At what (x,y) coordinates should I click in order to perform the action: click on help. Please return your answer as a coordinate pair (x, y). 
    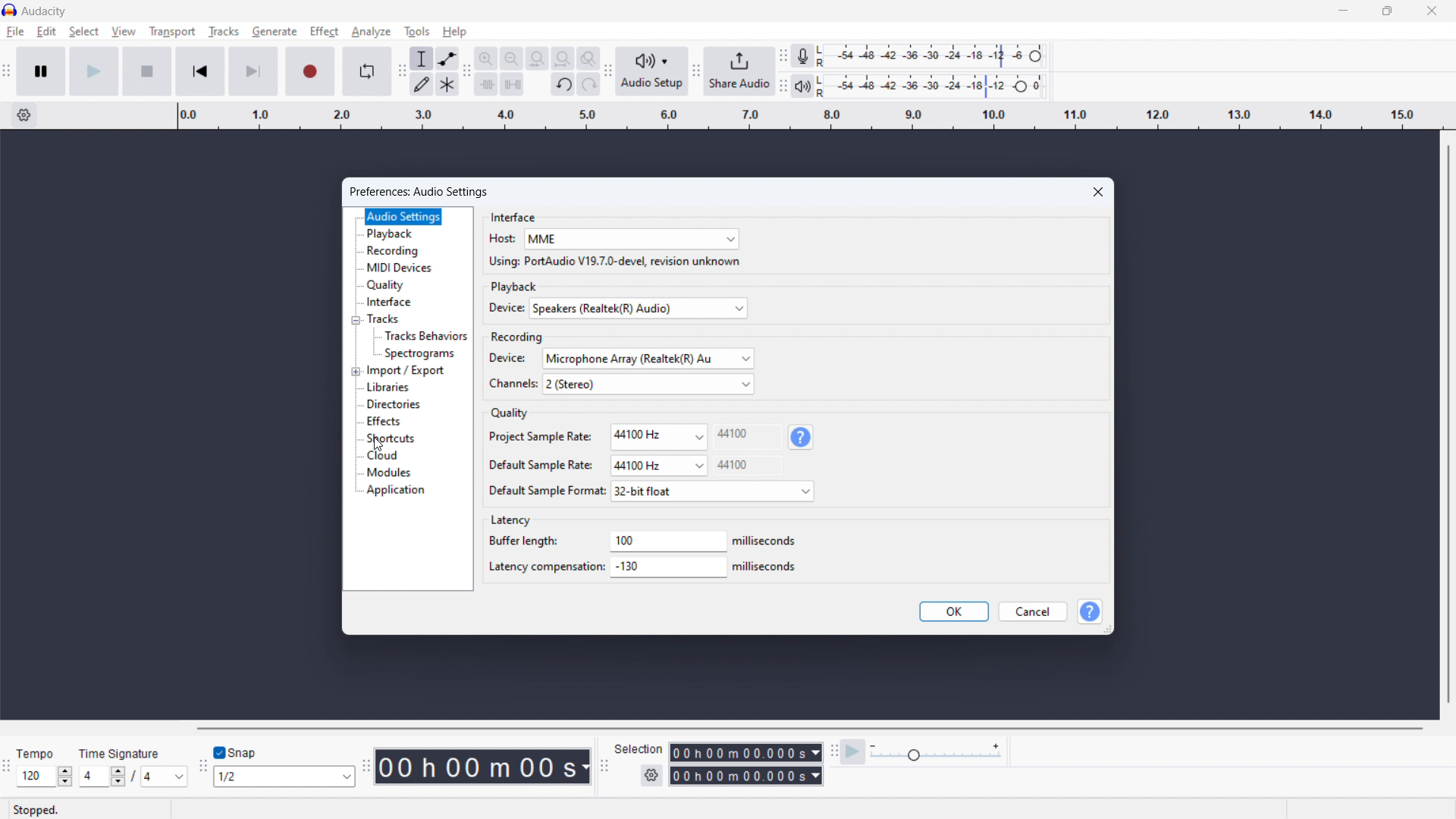
    Looking at the image, I should click on (455, 31).